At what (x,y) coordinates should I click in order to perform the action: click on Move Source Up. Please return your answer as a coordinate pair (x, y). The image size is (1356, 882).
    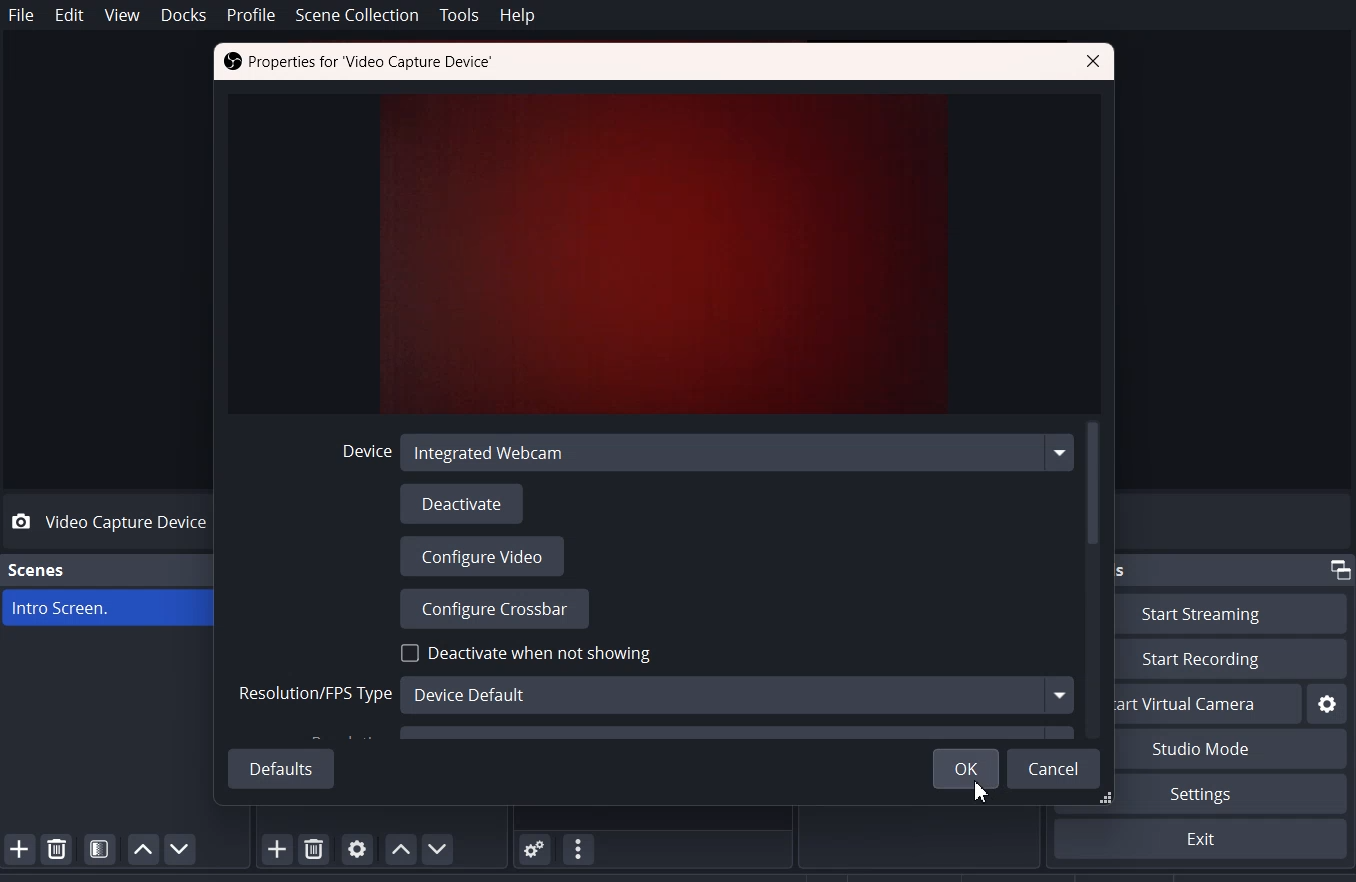
    Looking at the image, I should click on (399, 849).